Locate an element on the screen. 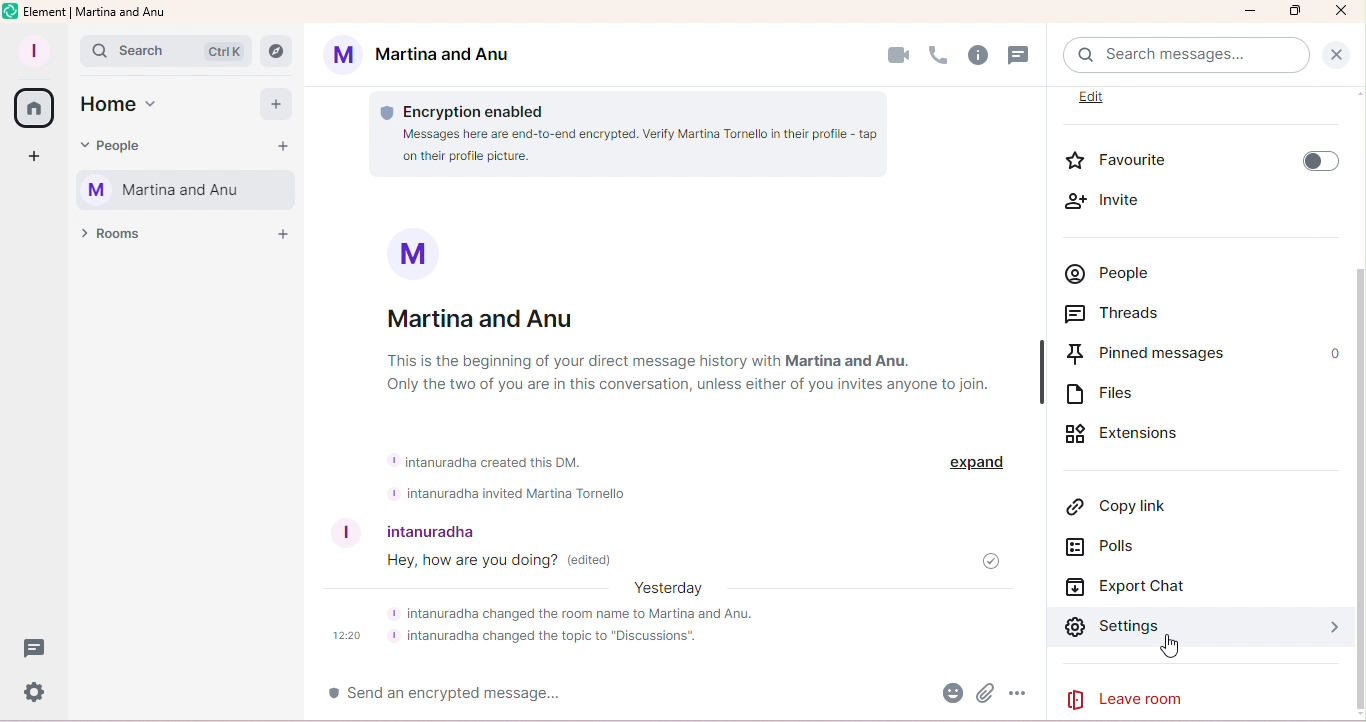 The width and height of the screenshot is (1366, 722). Invite is located at coordinates (1135, 202).